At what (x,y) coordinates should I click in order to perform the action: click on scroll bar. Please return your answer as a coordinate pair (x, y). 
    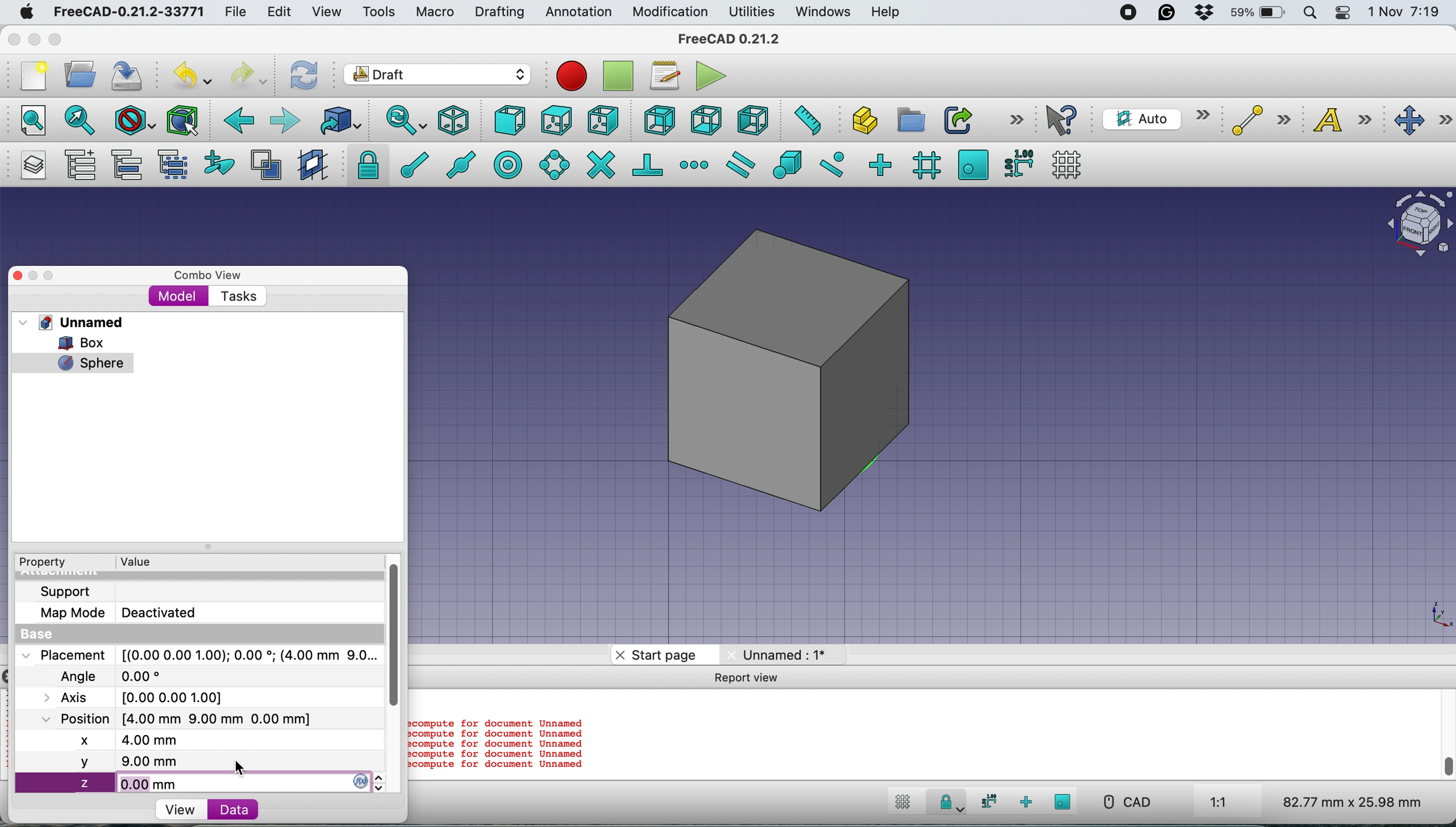
    Looking at the image, I should click on (1449, 737).